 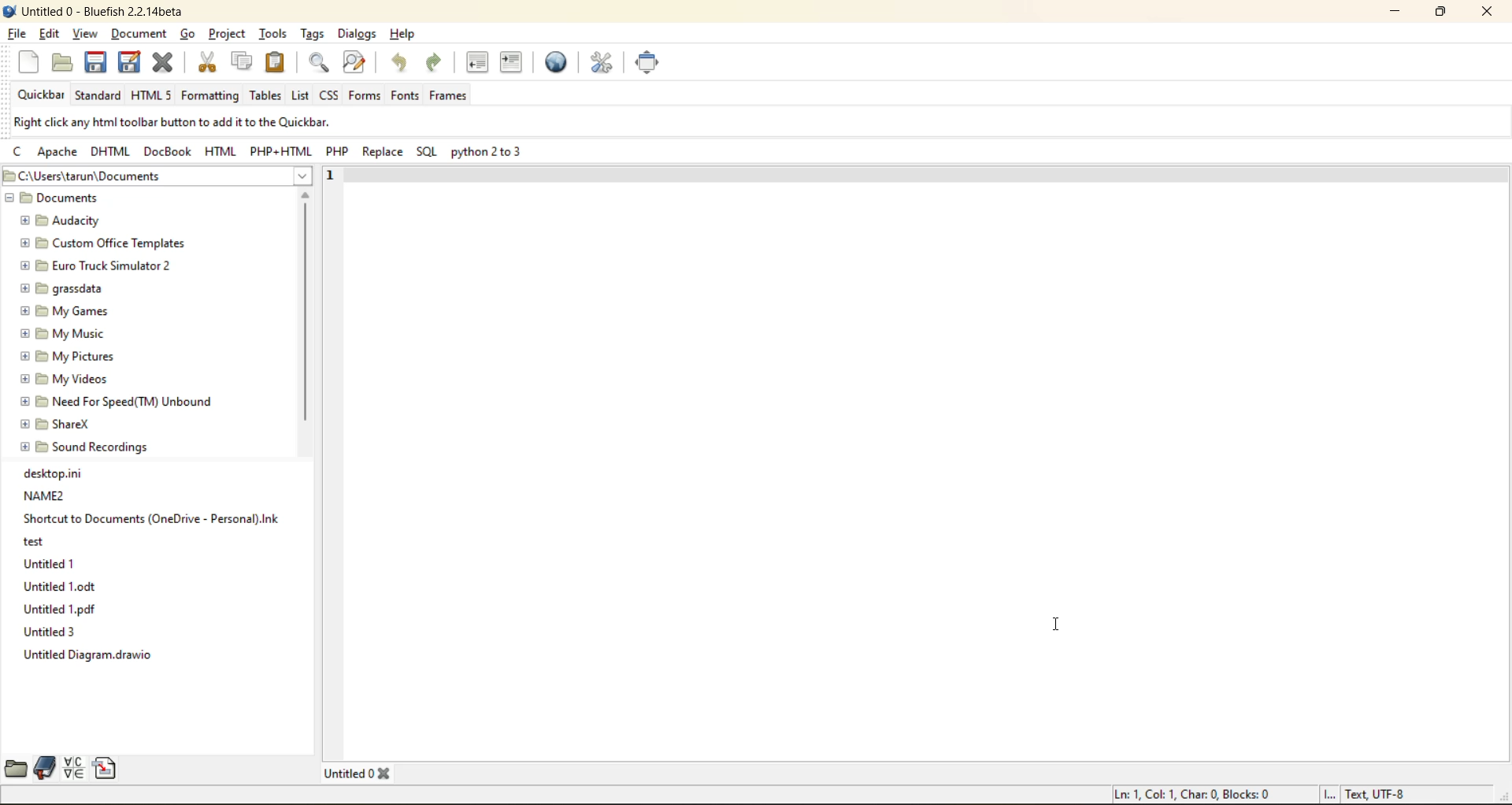 I want to click on # [9 Euro Truck Simulator 2, so click(x=93, y=265).